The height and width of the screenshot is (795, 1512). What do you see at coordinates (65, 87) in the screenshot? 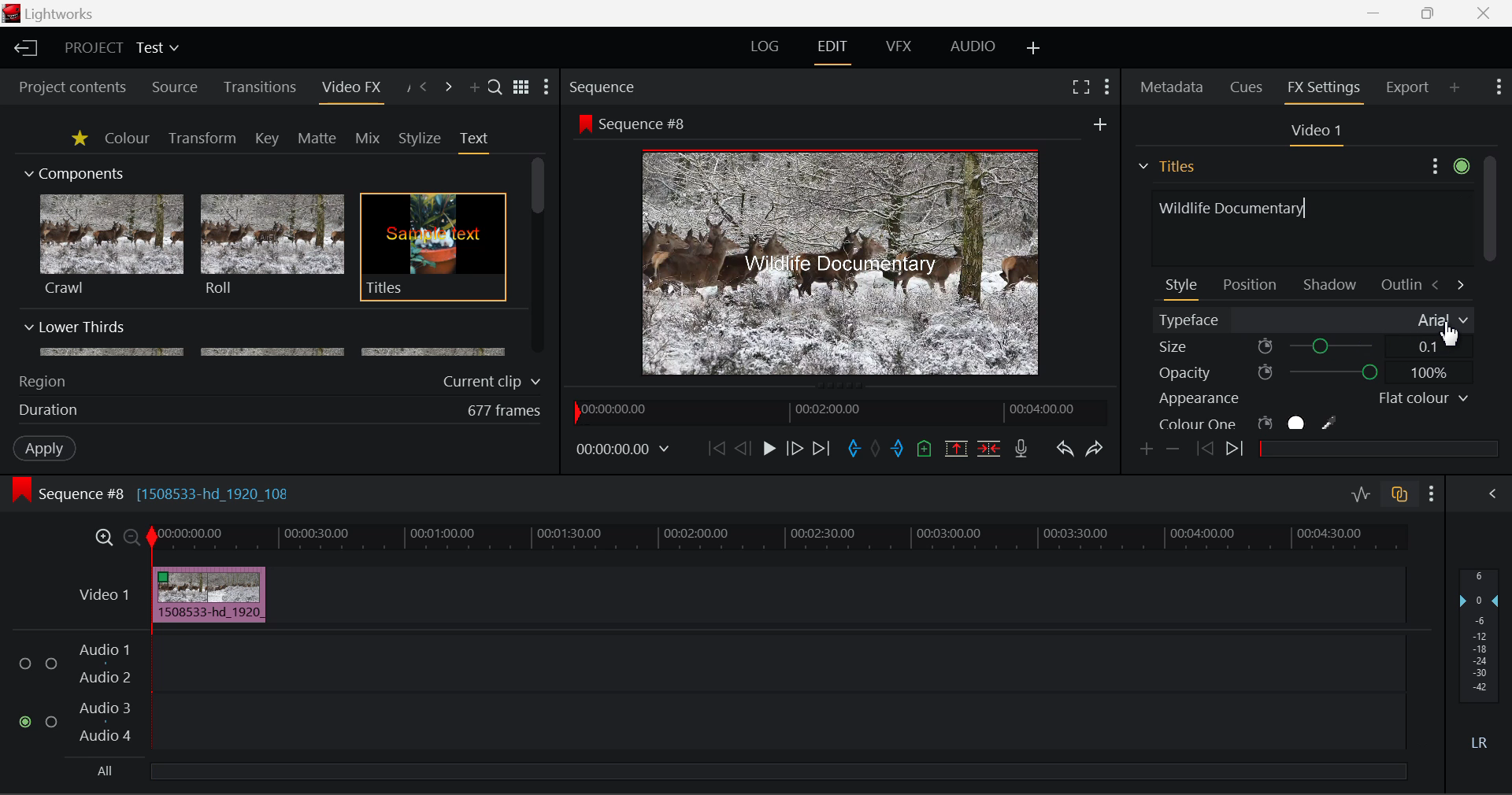
I see `Project contents` at bounding box center [65, 87].